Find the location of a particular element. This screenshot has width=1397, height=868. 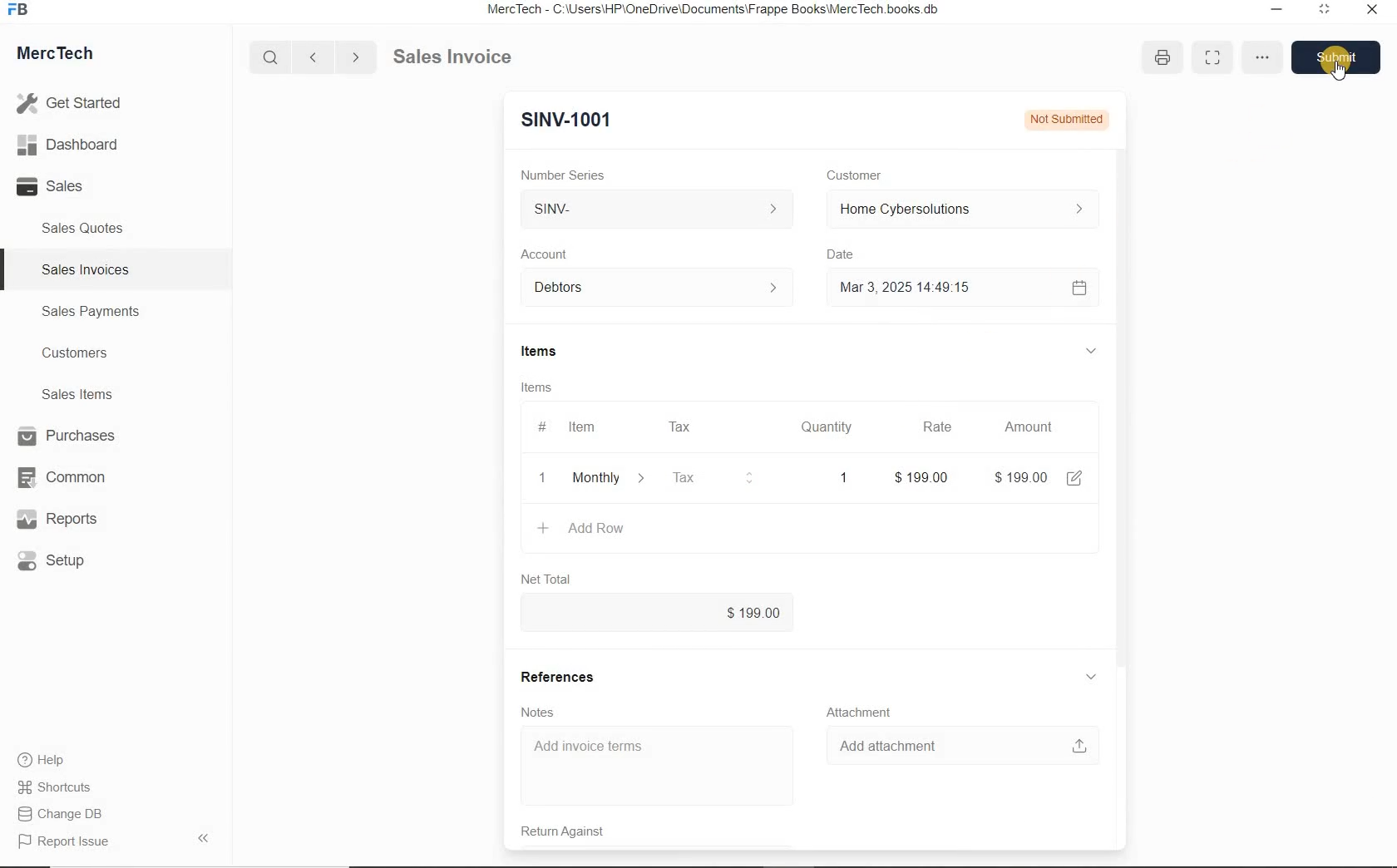

cursor is located at coordinates (1341, 71).